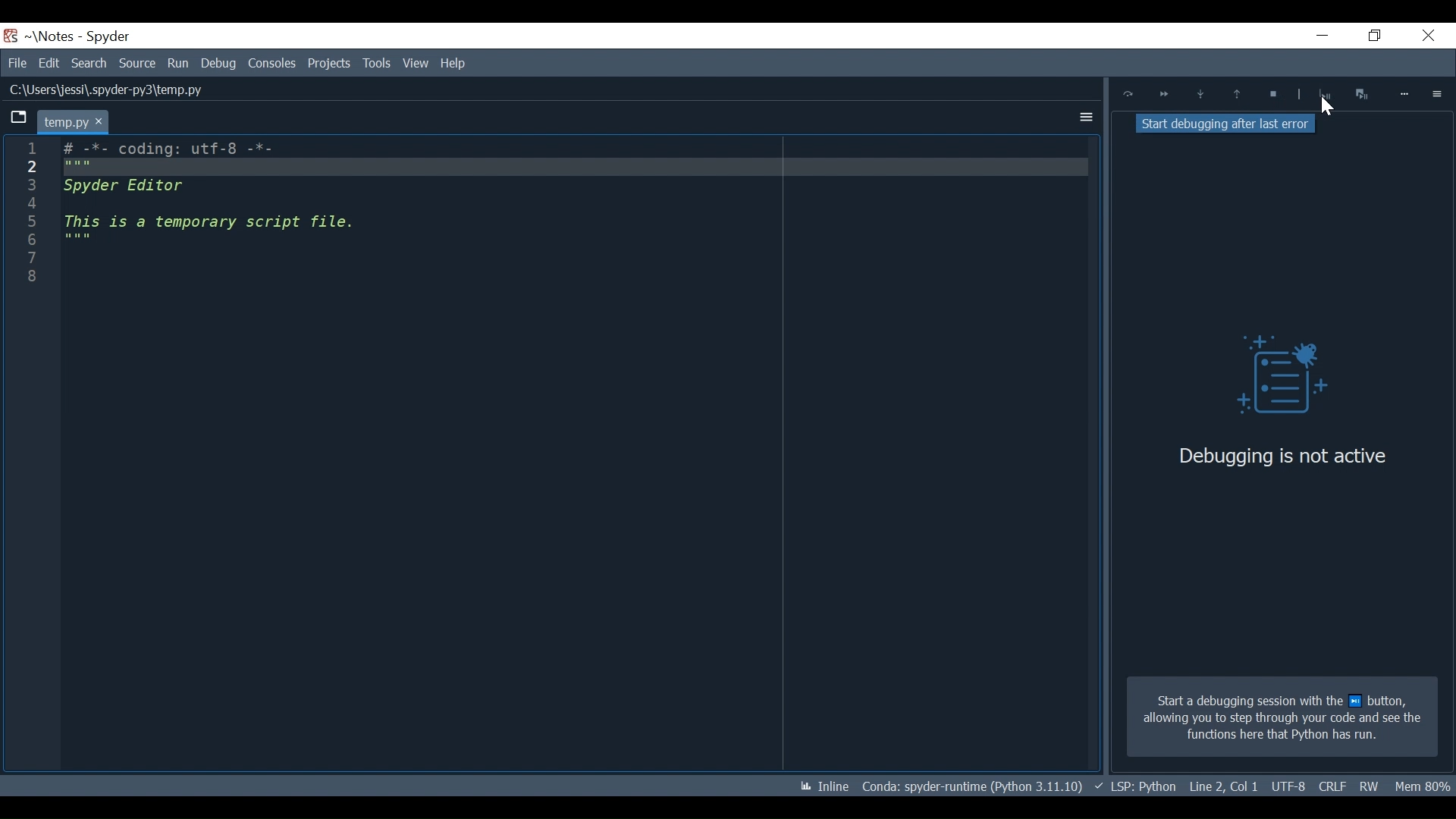  Describe the element at coordinates (1329, 108) in the screenshot. I see `Cursor` at that location.